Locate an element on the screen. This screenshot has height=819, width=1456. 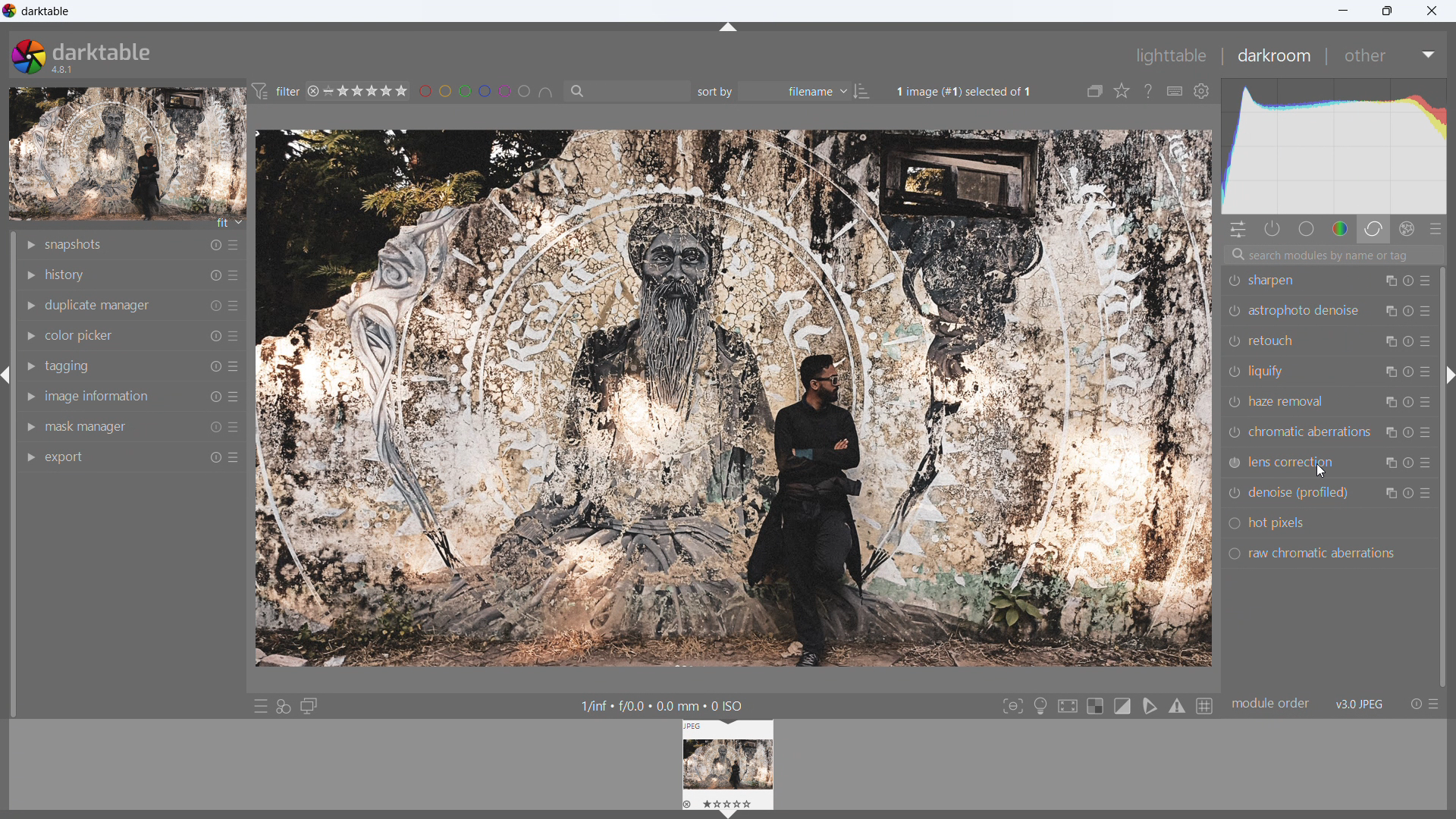
display a second darkroom image window is located at coordinates (312, 706).